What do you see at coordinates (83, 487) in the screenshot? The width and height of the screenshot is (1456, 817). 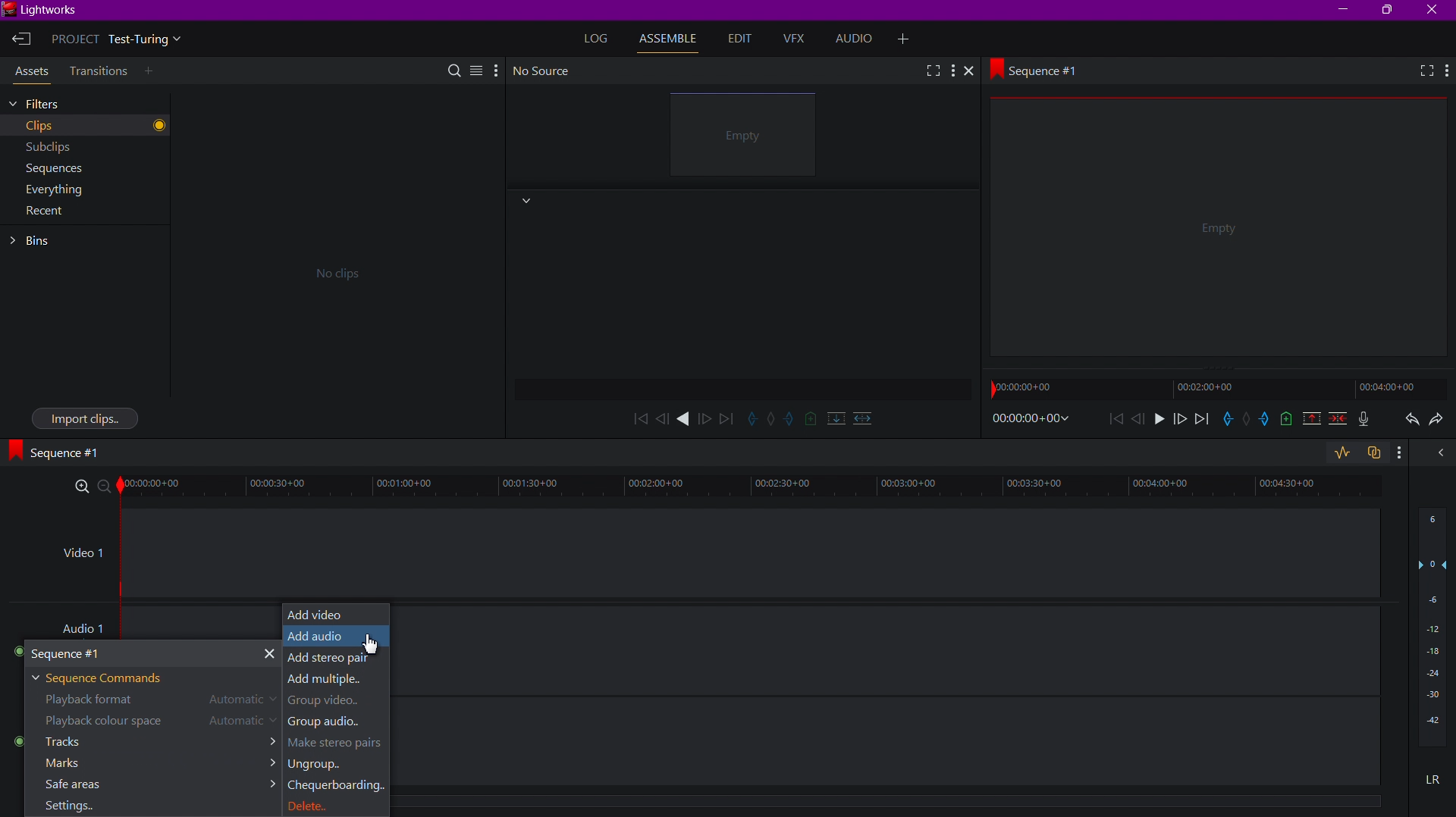 I see `Zoom In` at bounding box center [83, 487].